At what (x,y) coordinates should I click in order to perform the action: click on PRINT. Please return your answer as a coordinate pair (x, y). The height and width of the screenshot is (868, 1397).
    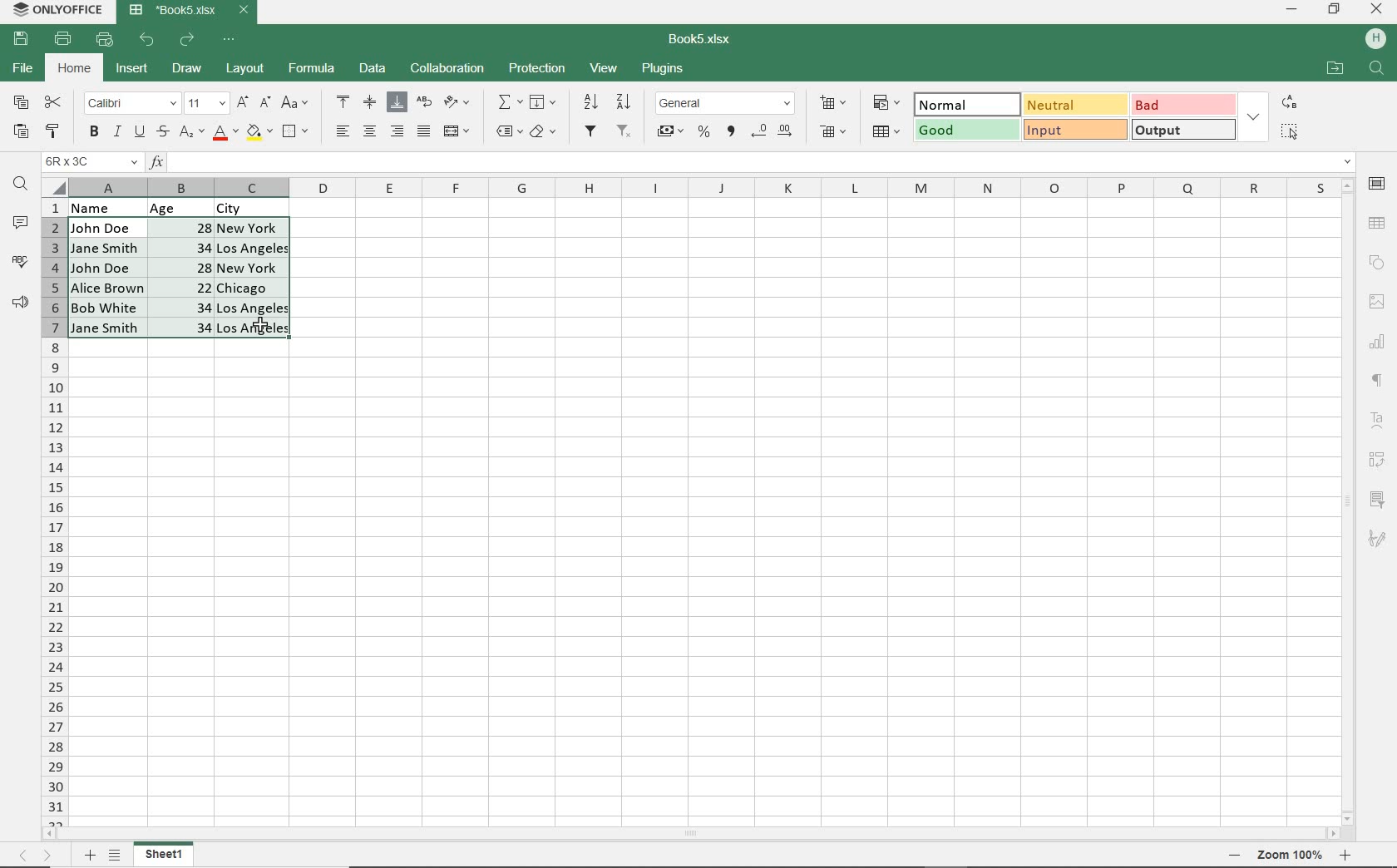
    Looking at the image, I should click on (63, 38).